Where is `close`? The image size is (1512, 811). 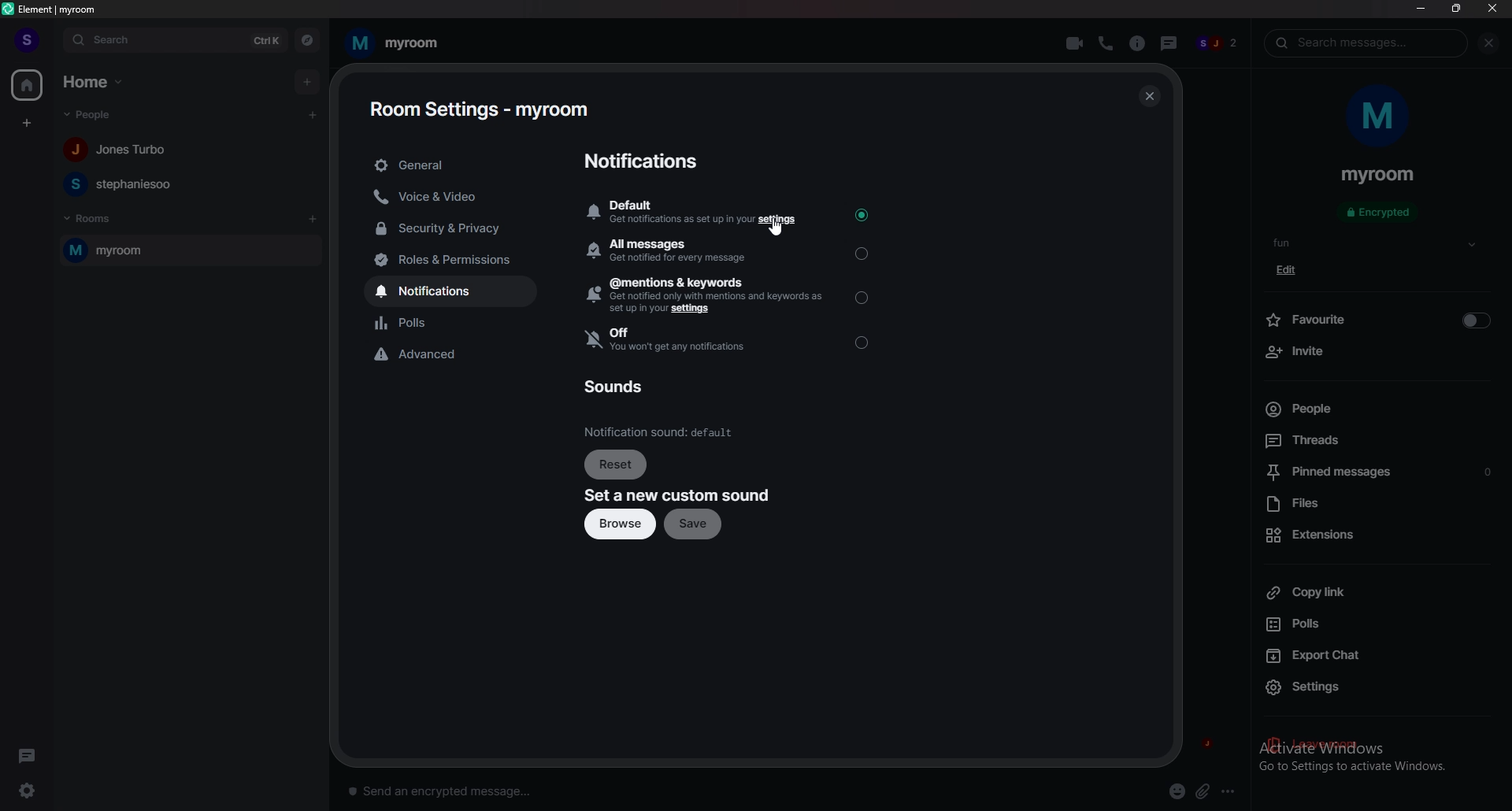 close is located at coordinates (1492, 8).